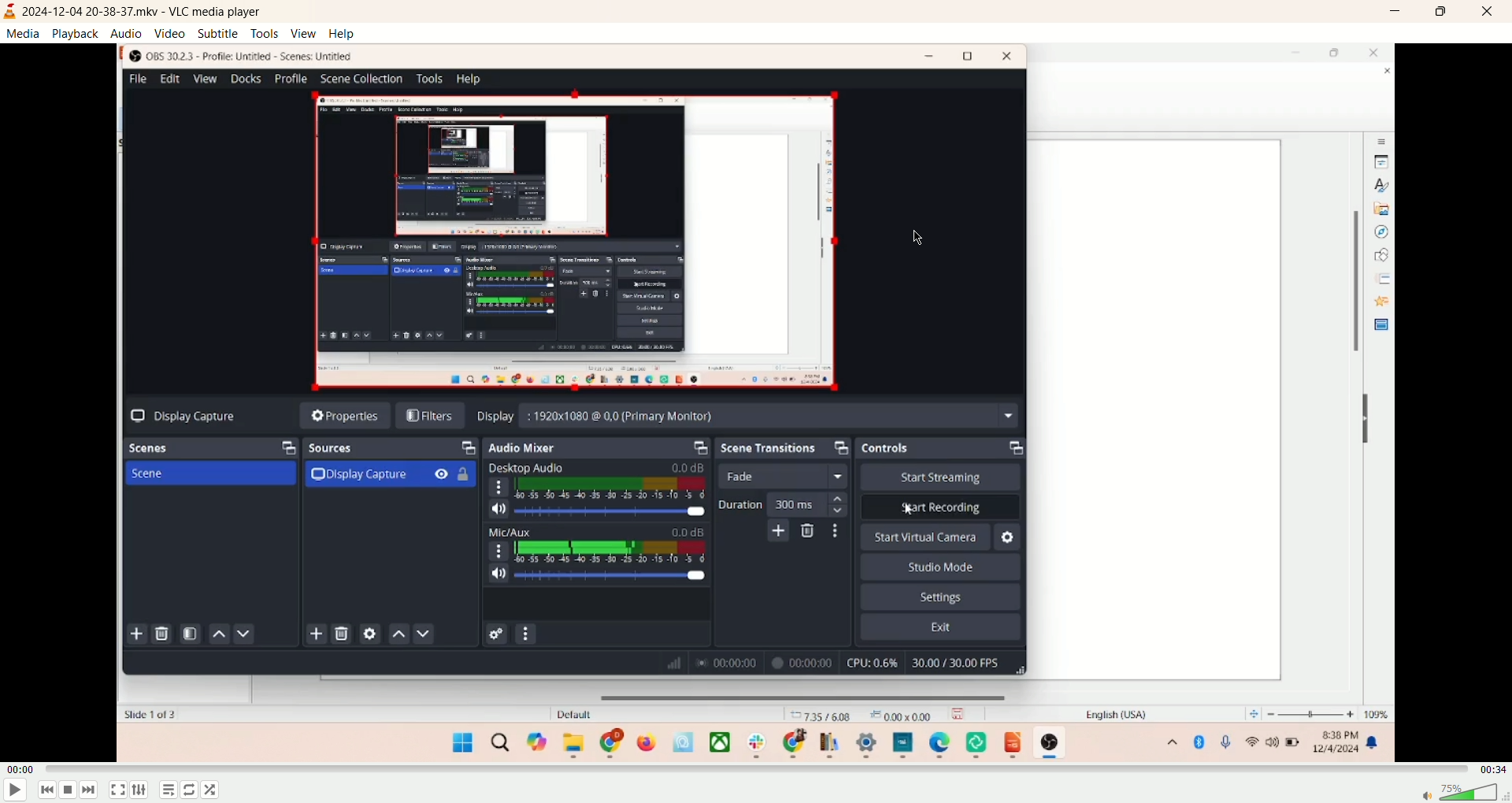 The width and height of the screenshot is (1512, 803). I want to click on close, so click(1482, 13).